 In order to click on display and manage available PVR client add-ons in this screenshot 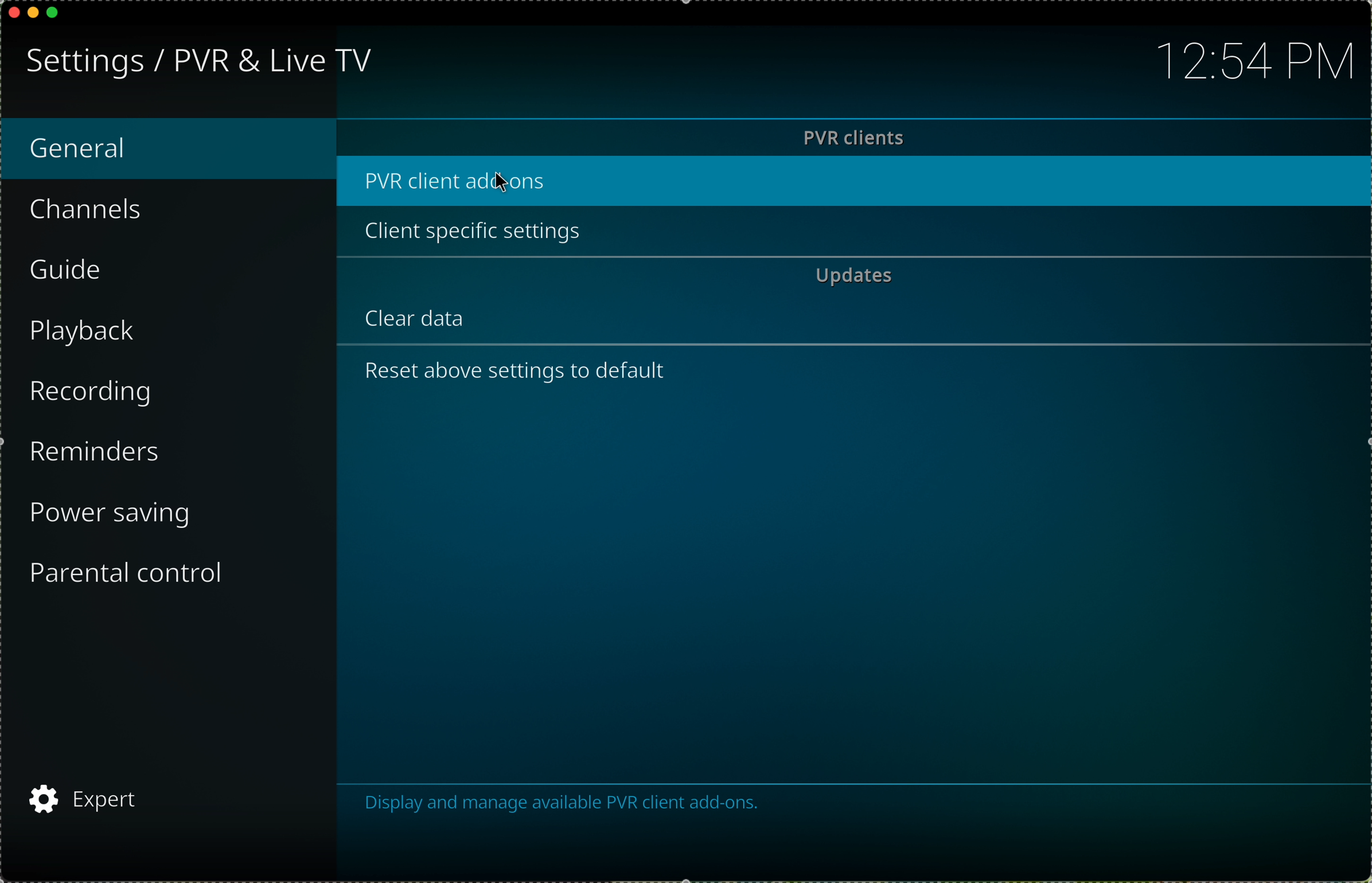, I will do `click(570, 806)`.